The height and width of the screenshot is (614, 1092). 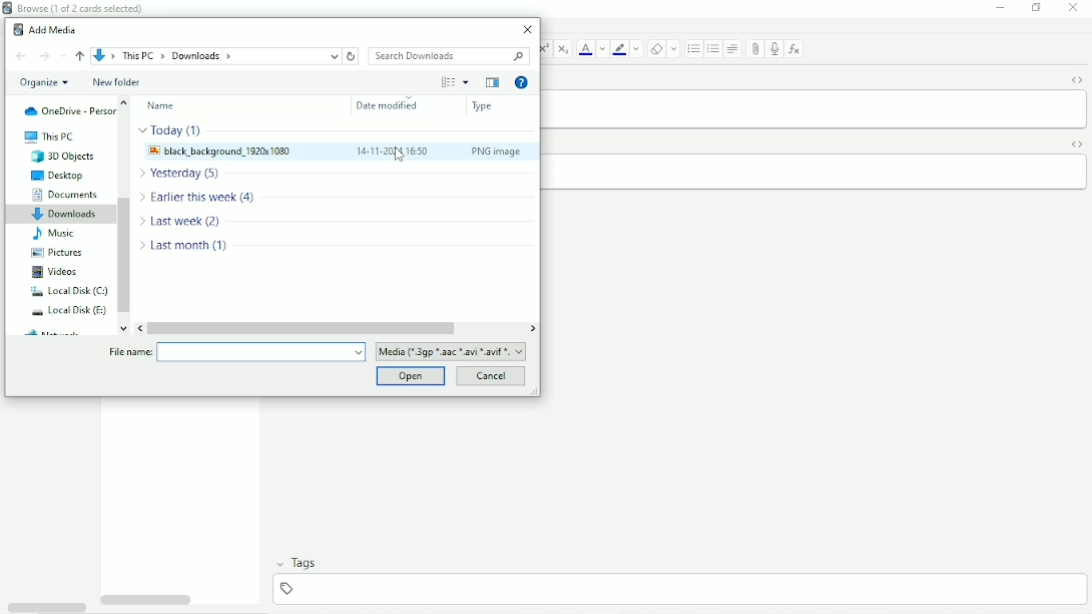 I want to click on OneDrive - Personal, so click(x=66, y=113).